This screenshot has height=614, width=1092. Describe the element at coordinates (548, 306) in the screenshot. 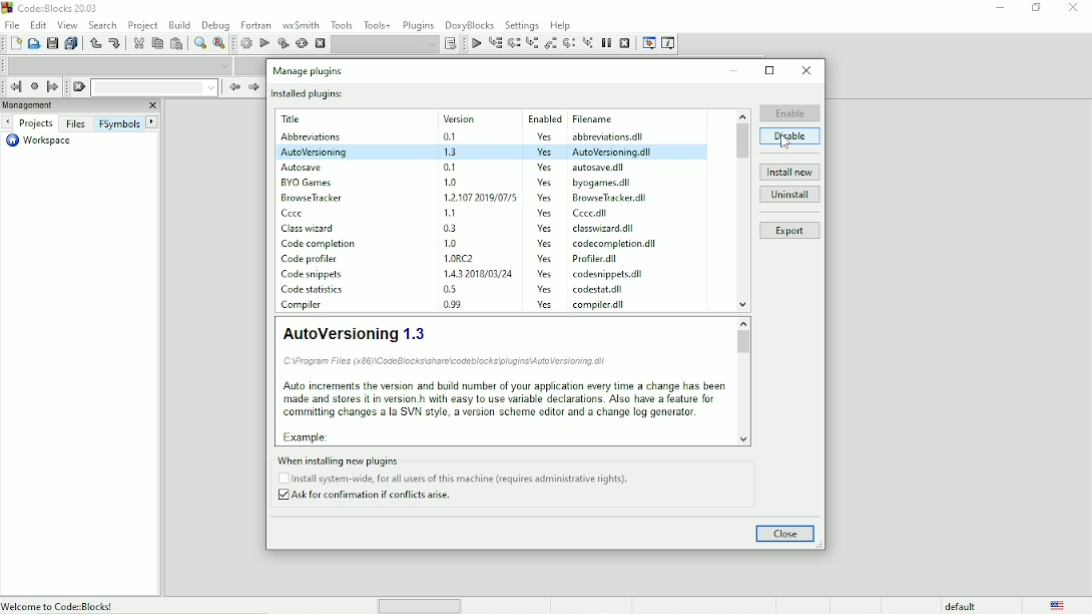

I see `Yes` at that location.